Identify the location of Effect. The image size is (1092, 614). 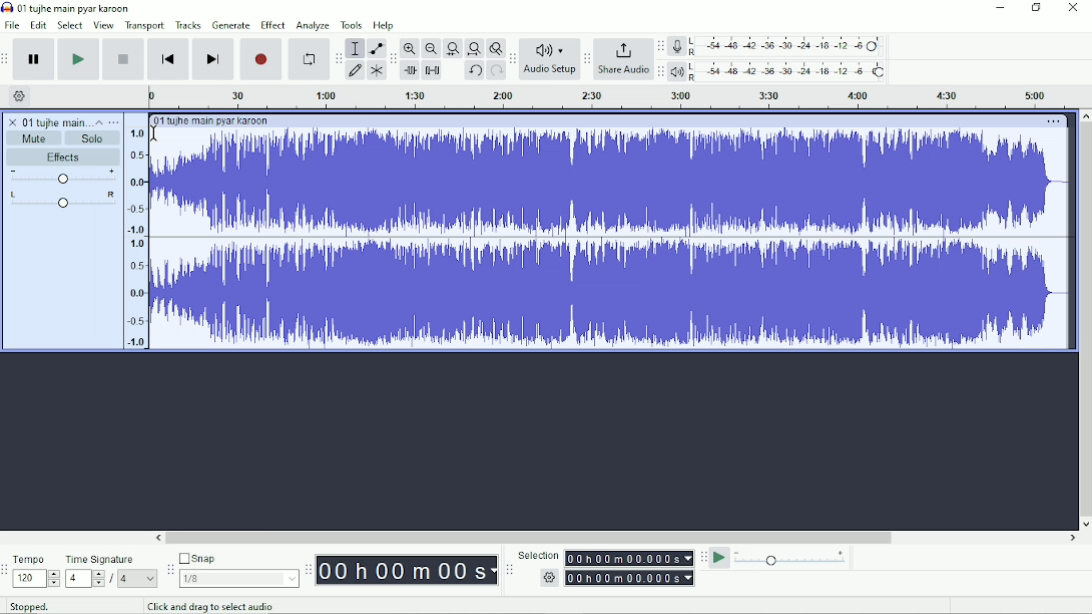
(273, 25).